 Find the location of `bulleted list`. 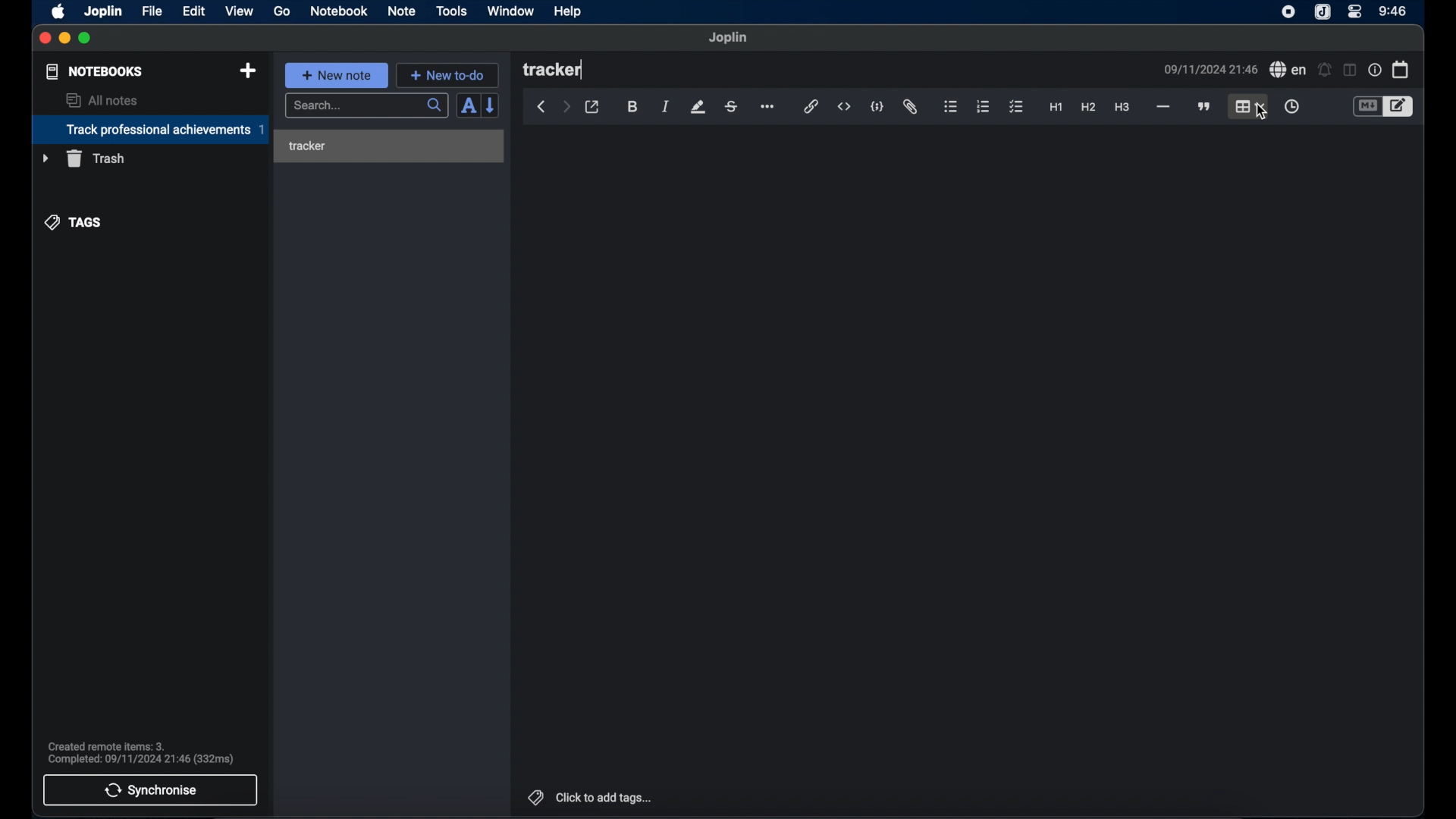

bulleted list is located at coordinates (951, 108).